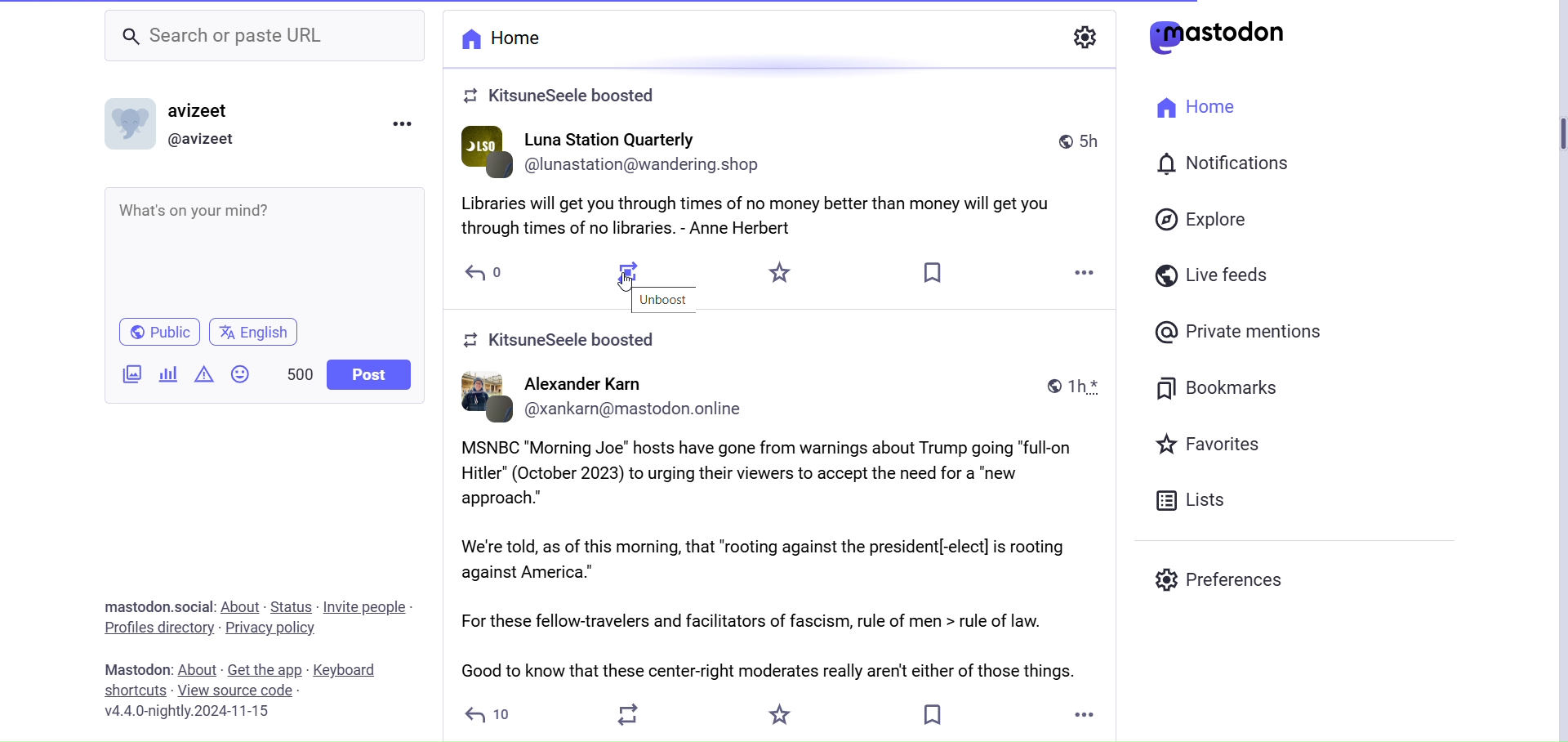  I want to click on Notification, so click(1241, 163).